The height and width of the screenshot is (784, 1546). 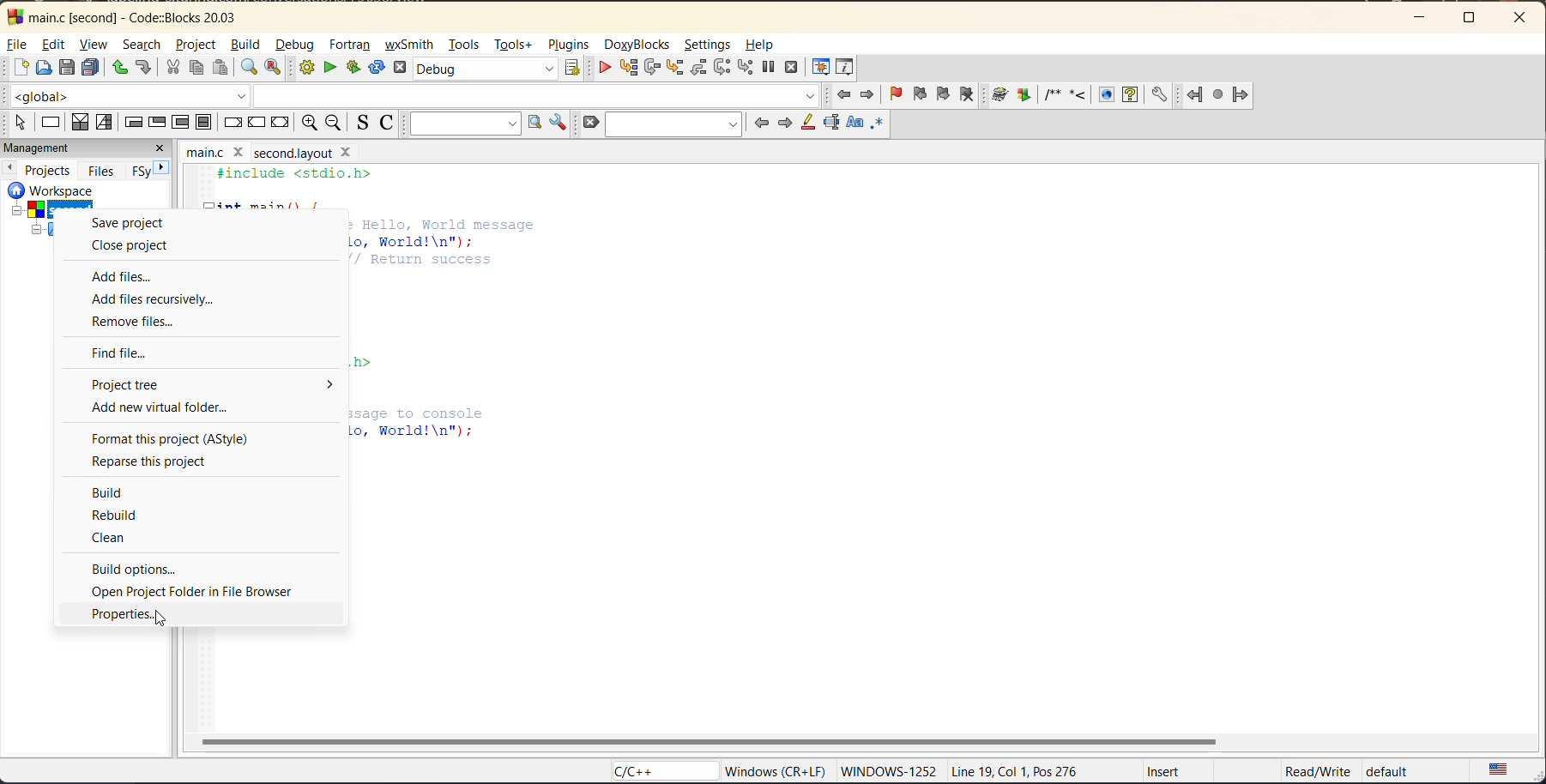 I want to click on entry condition loop, so click(x=135, y=122).